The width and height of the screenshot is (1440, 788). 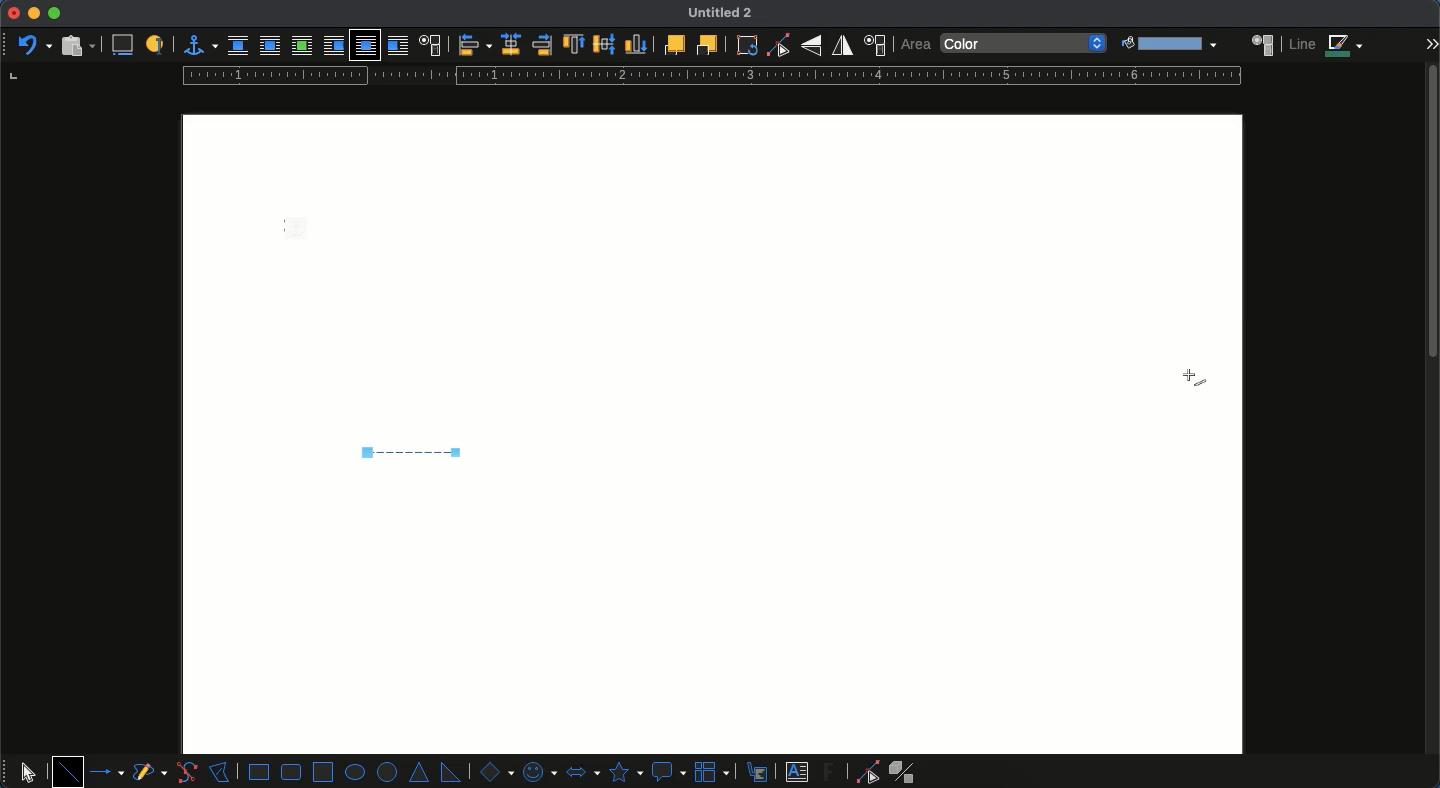 I want to click on top, so click(x=575, y=45).